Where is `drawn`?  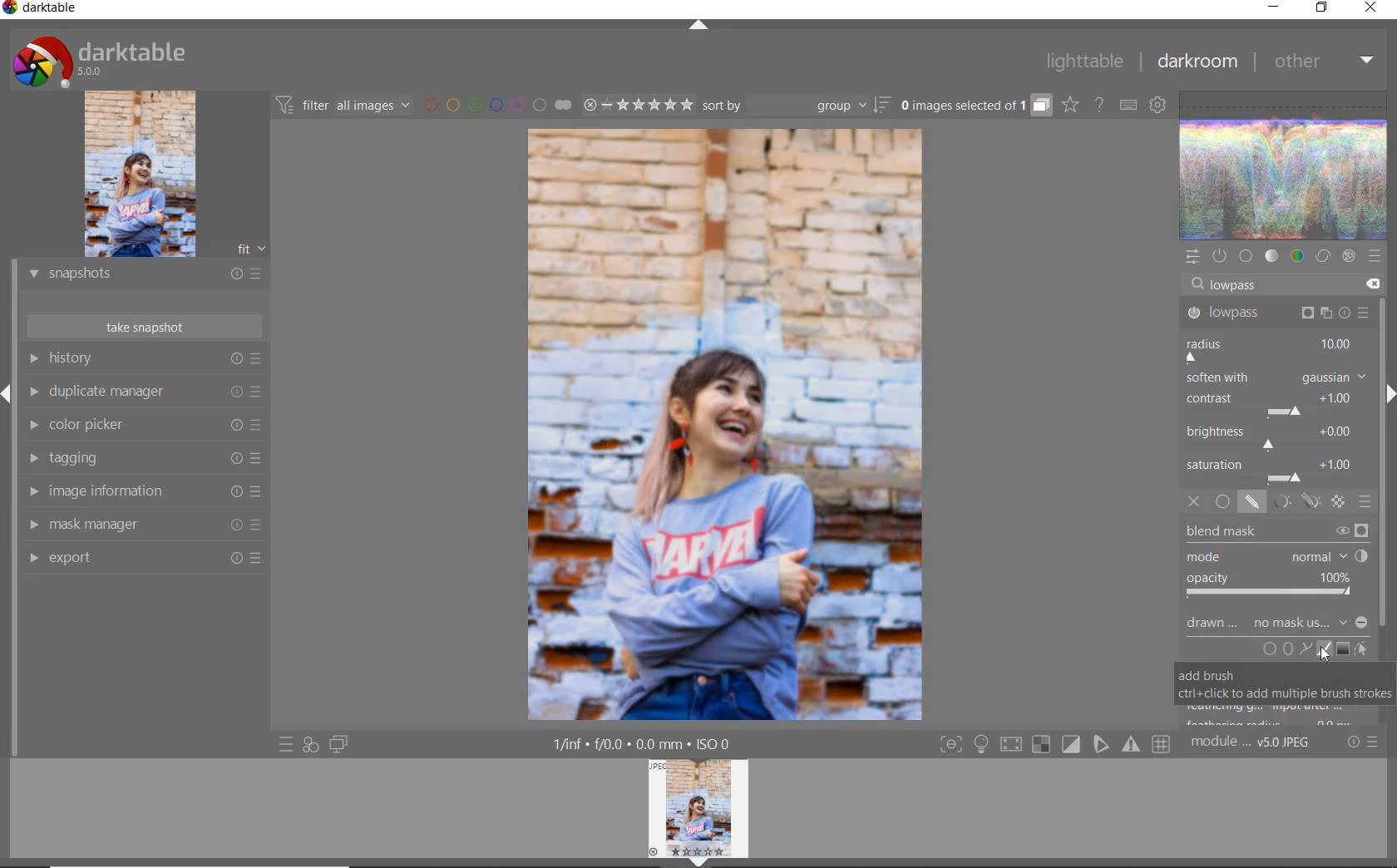
drawn is located at coordinates (1213, 625).